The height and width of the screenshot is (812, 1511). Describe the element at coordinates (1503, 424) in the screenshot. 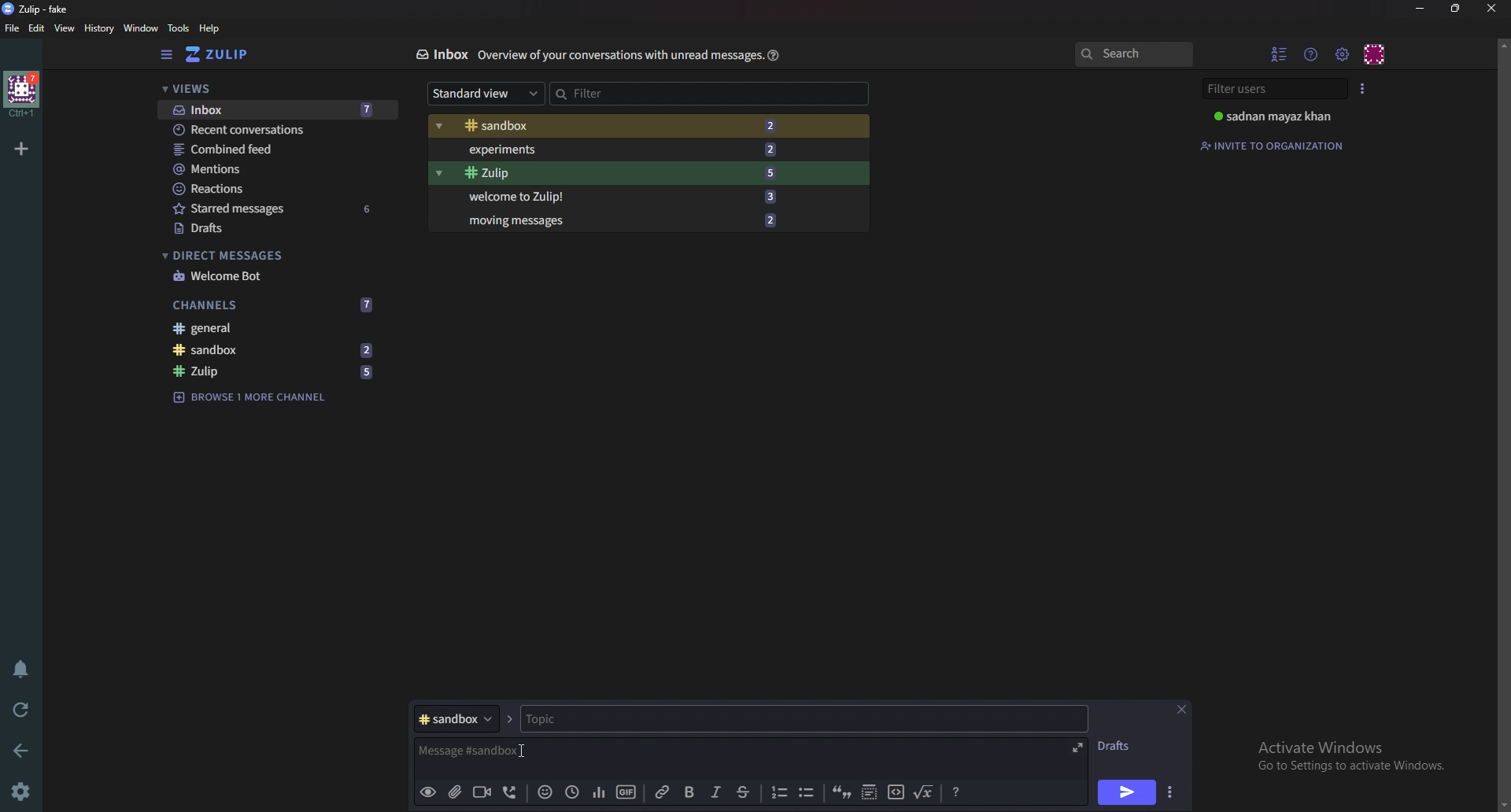

I see `scroll bar` at that location.